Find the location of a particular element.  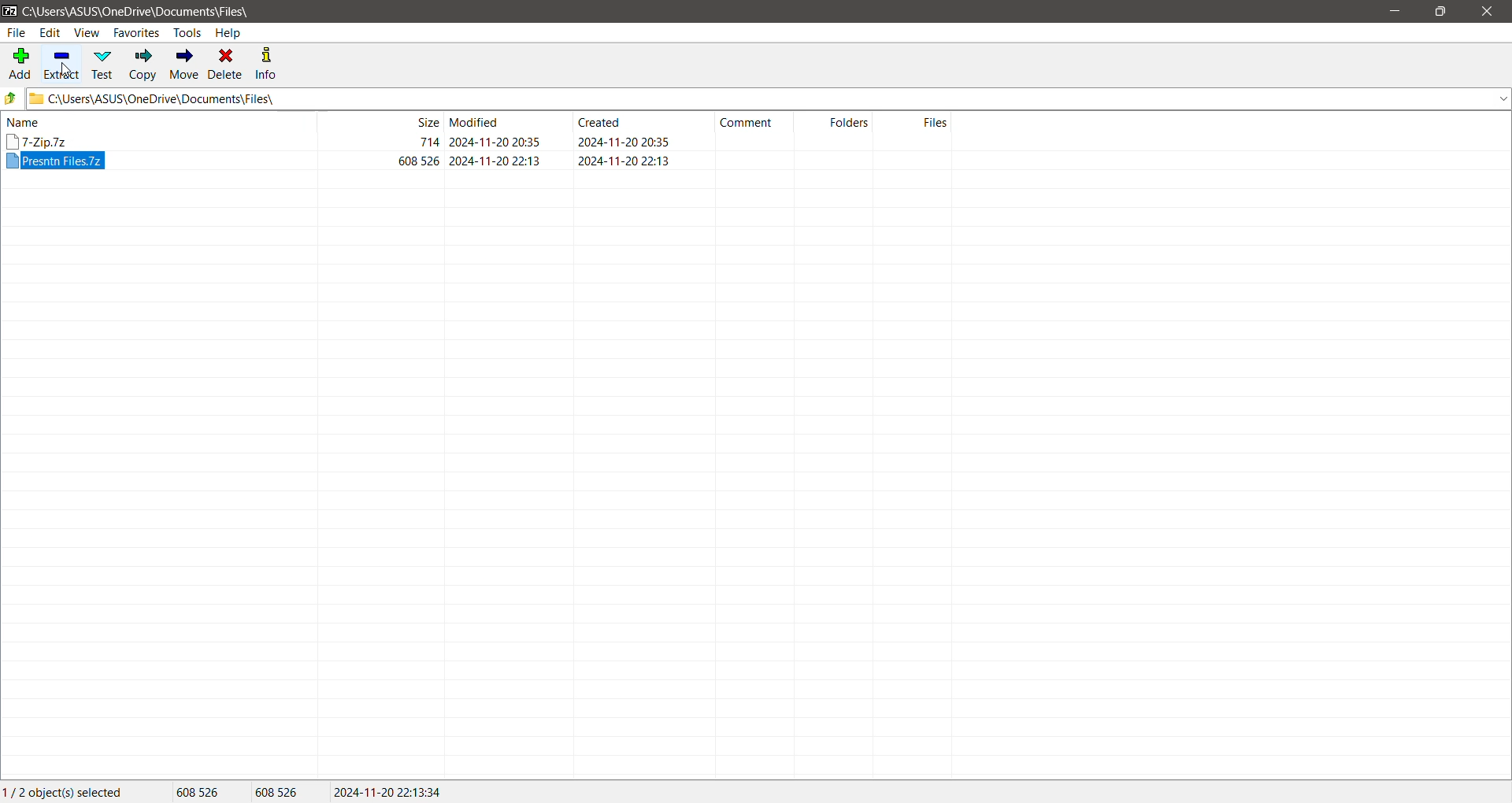

Edit is located at coordinates (50, 32).